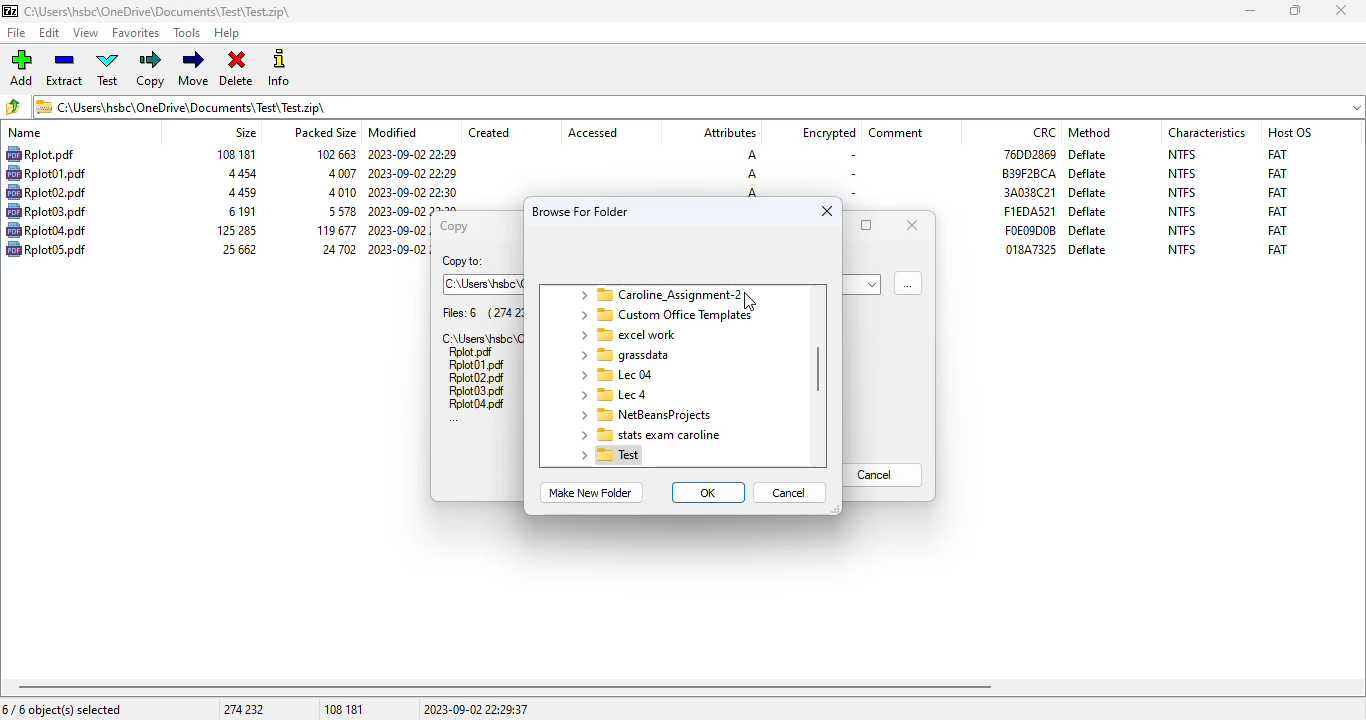 This screenshot has height=720, width=1366. What do you see at coordinates (1029, 211) in the screenshot?
I see `CRC` at bounding box center [1029, 211].